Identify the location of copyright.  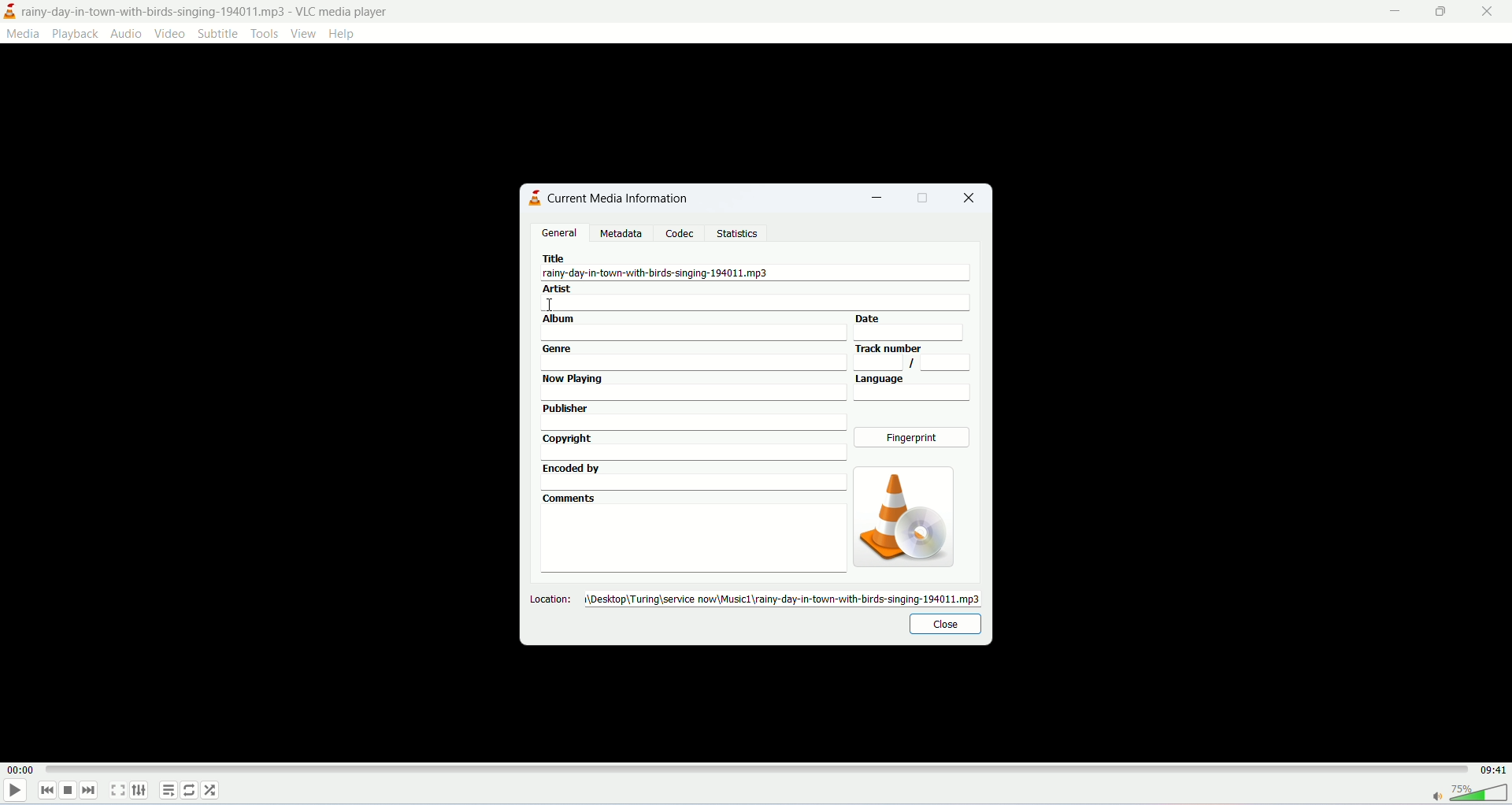
(694, 447).